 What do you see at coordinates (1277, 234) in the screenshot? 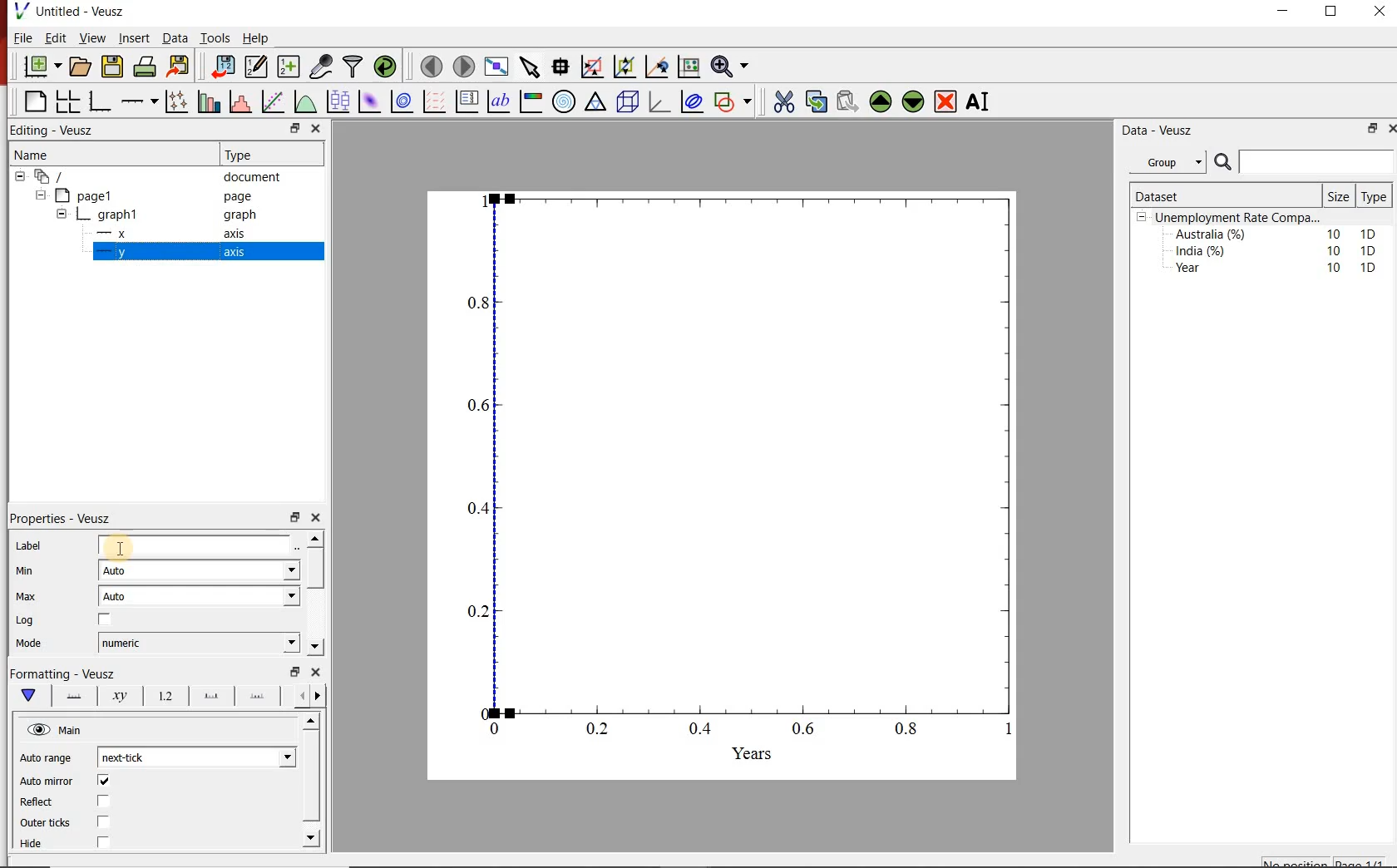
I see `Australia (%) 10 1D` at bounding box center [1277, 234].